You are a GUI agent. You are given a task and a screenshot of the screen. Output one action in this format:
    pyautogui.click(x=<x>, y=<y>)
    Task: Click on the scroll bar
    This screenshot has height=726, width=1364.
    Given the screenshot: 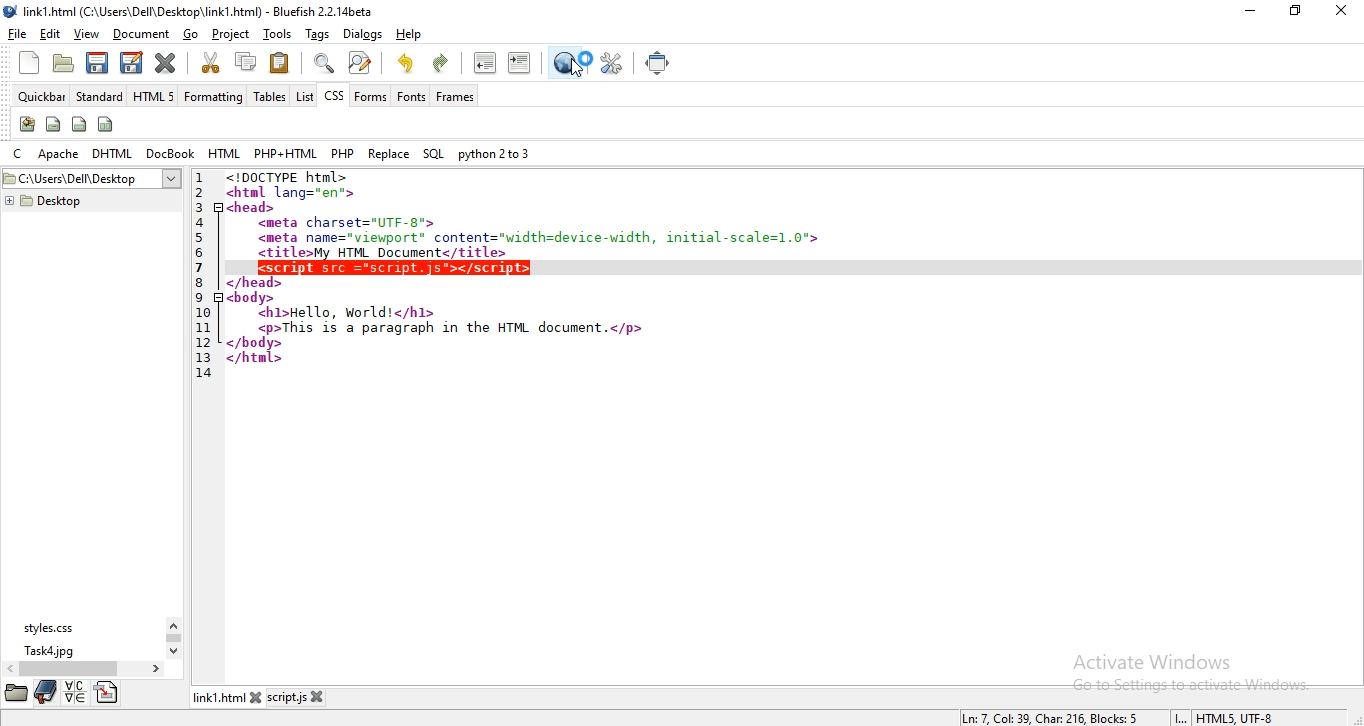 What is the action you would take?
    pyautogui.click(x=173, y=638)
    